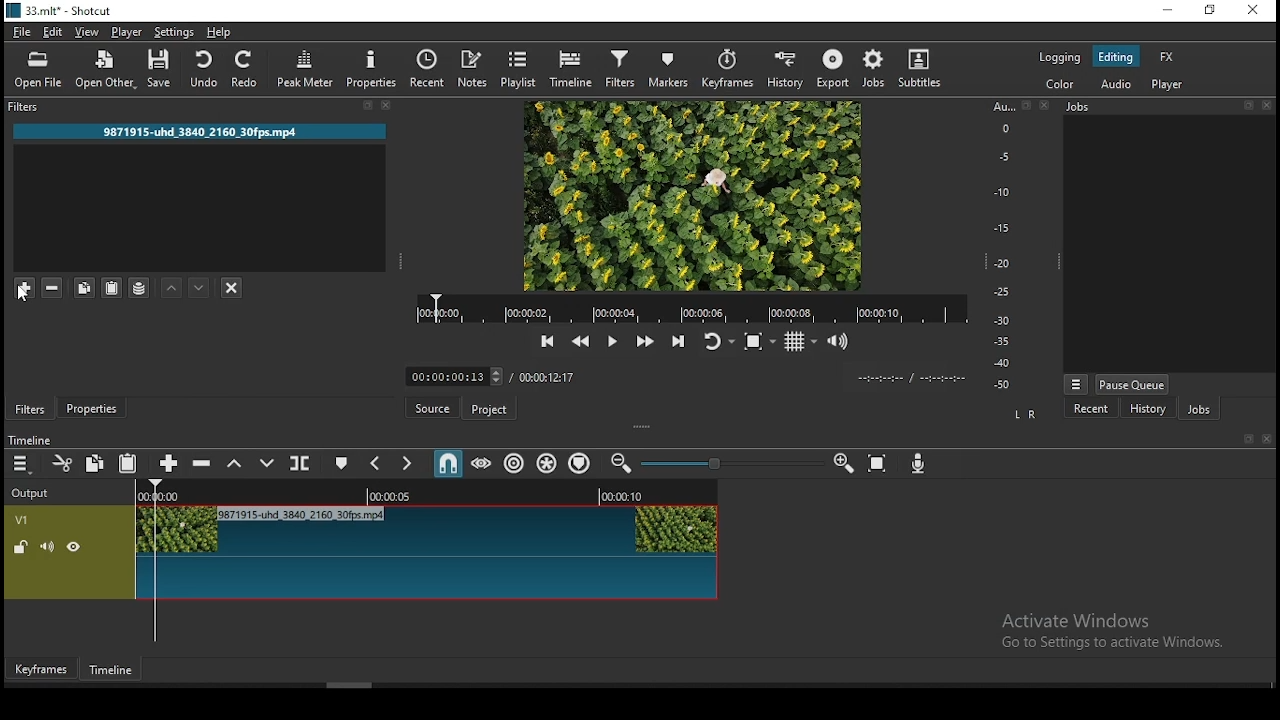 Image resolution: width=1280 pixels, height=720 pixels. I want to click on 9871915-uhd_3840_2160_30fps.mp4, so click(195, 132).